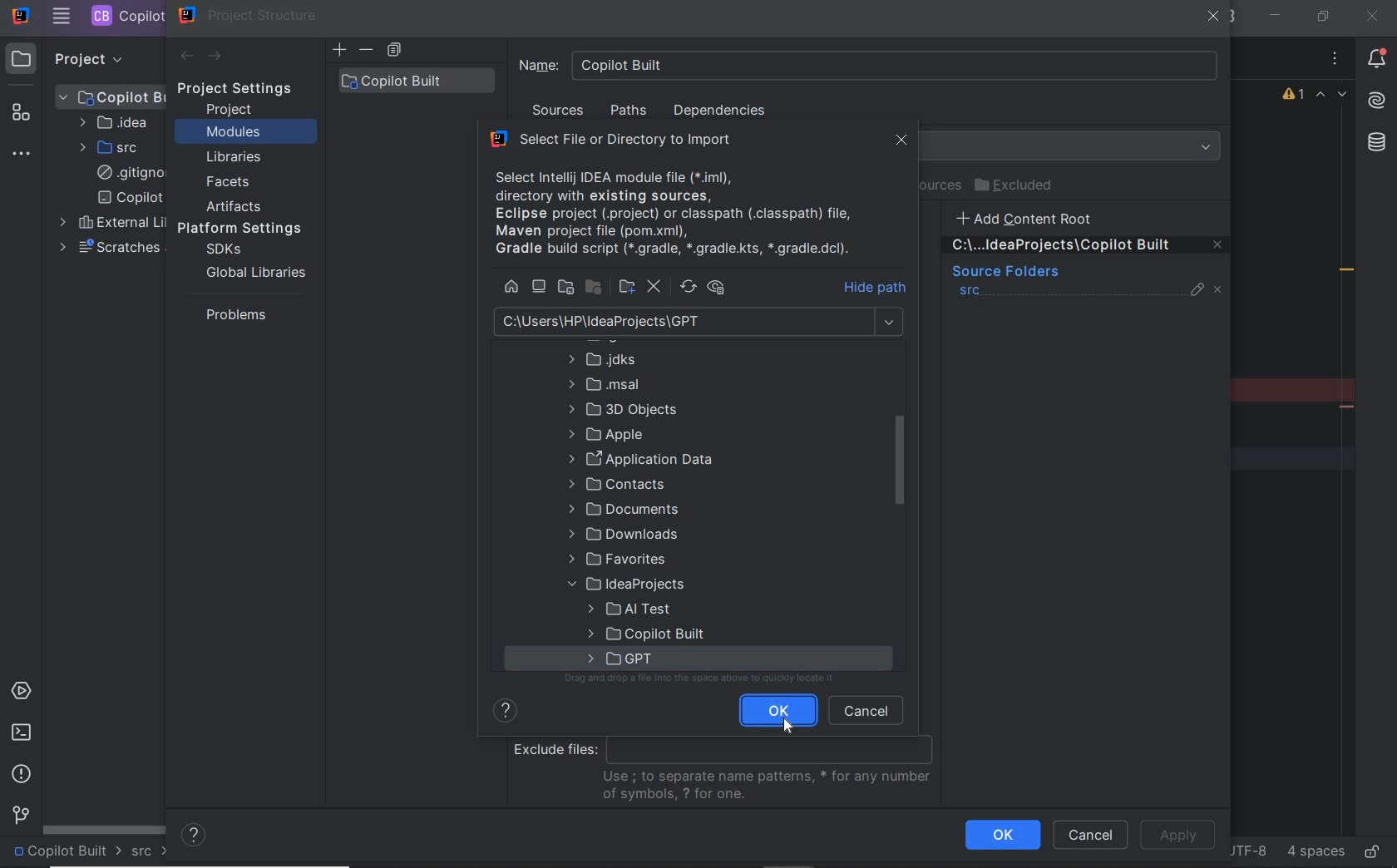  I want to click on sdks, so click(222, 250).